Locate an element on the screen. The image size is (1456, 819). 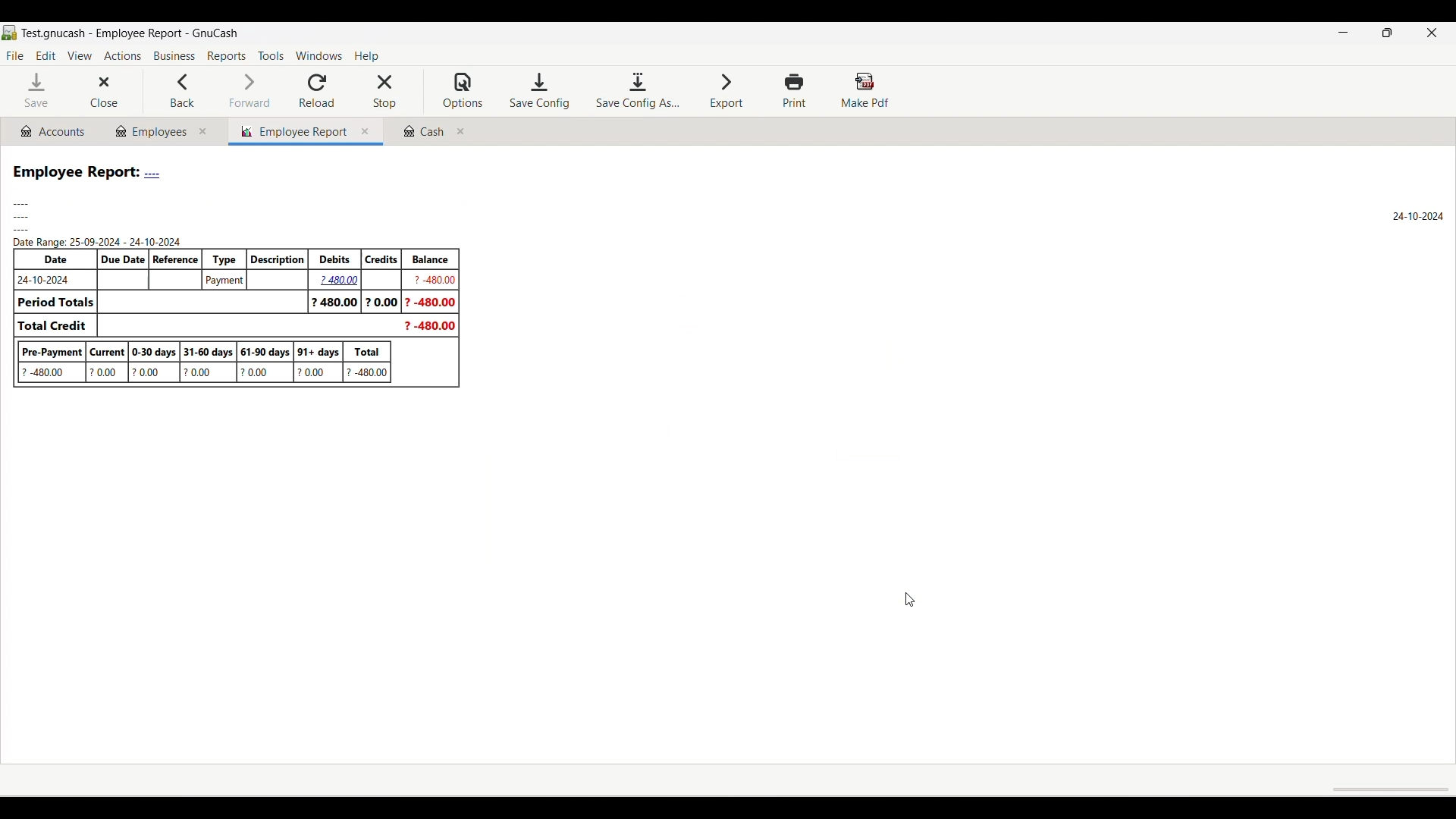
Cursor position unchanged is located at coordinates (911, 600).